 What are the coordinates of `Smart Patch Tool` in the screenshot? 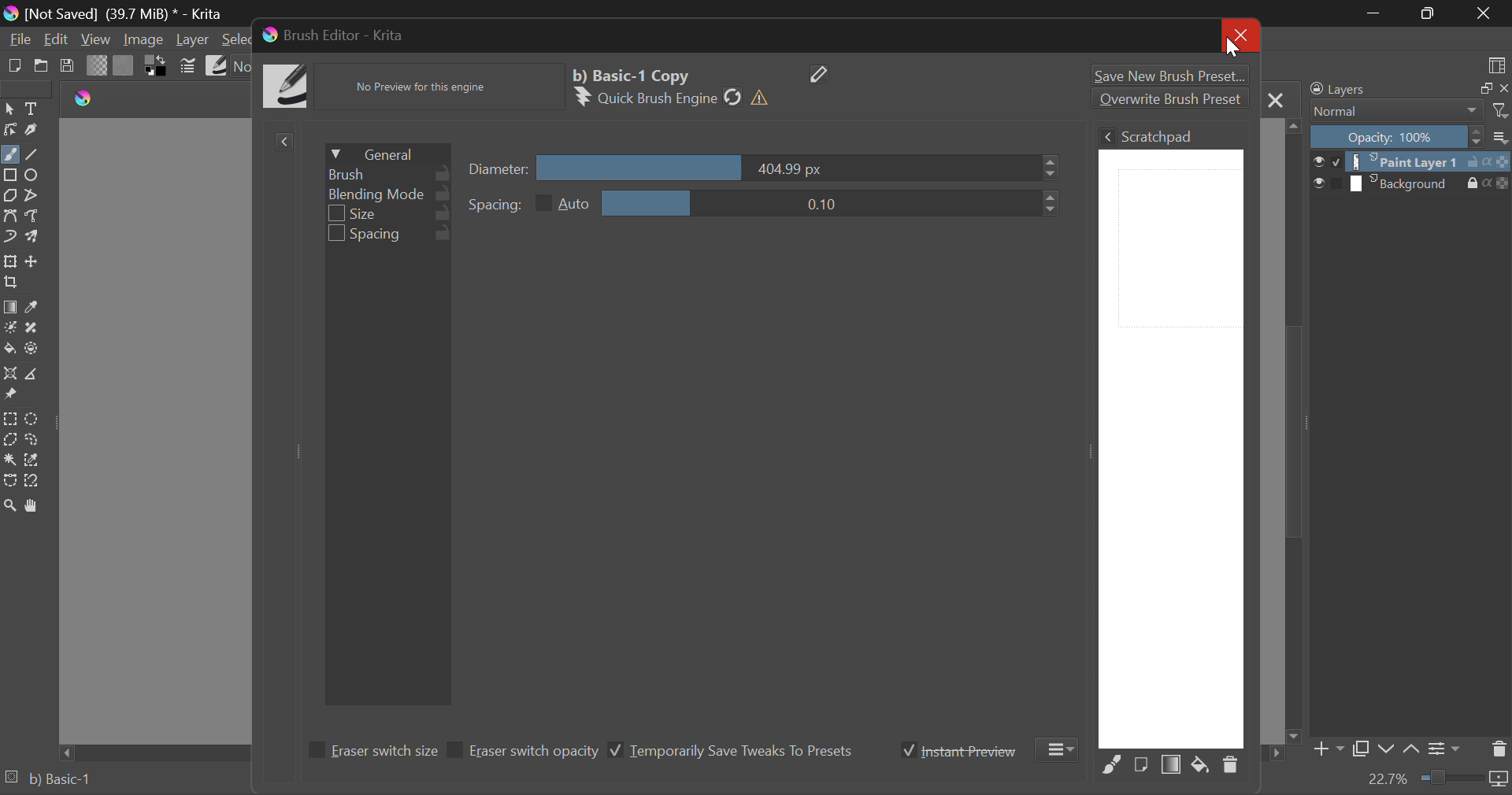 It's located at (33, 327).